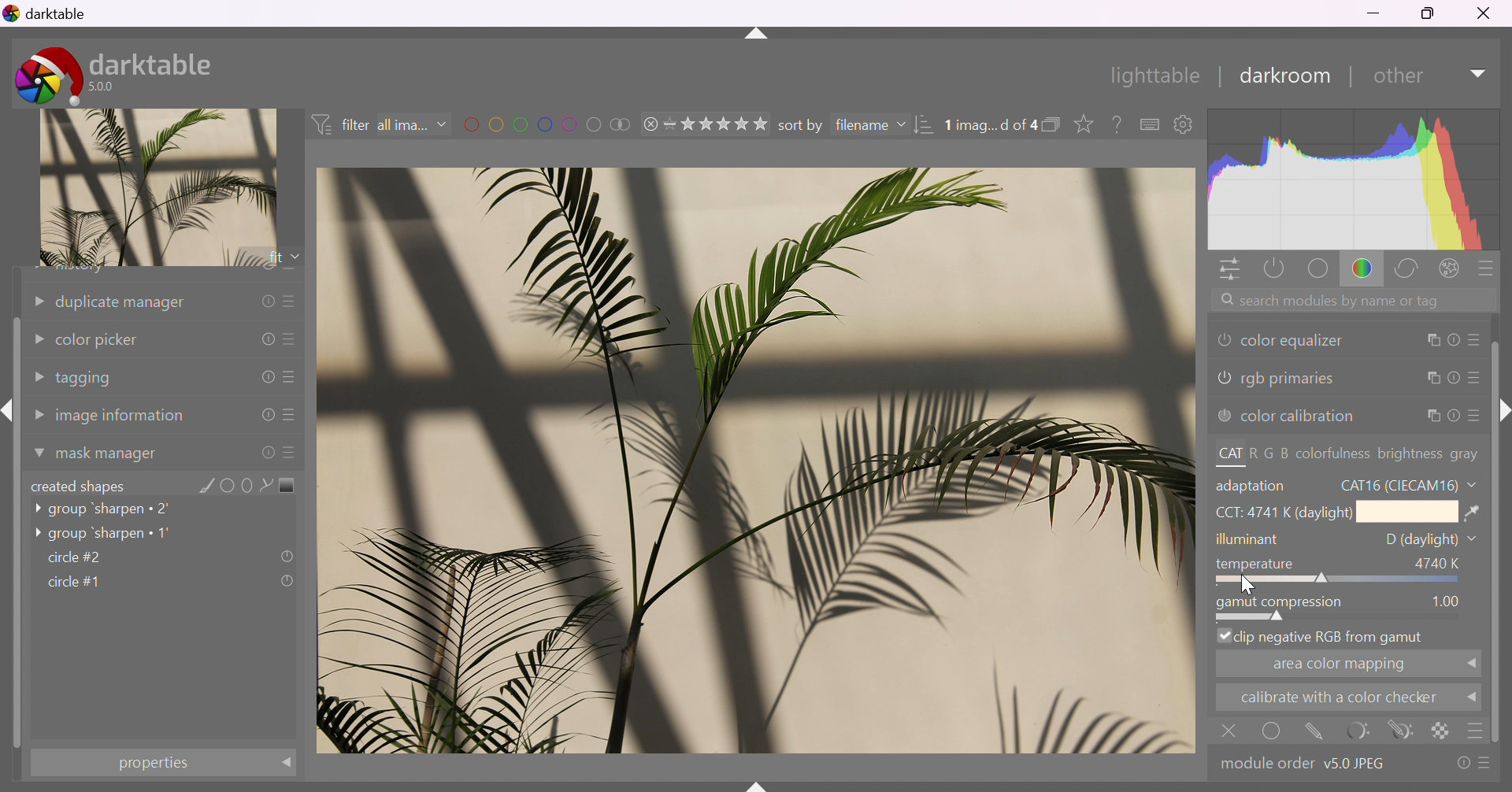  Describe the element at coordinates (1499, 530) in the screenshot. I see `slider` at that location.